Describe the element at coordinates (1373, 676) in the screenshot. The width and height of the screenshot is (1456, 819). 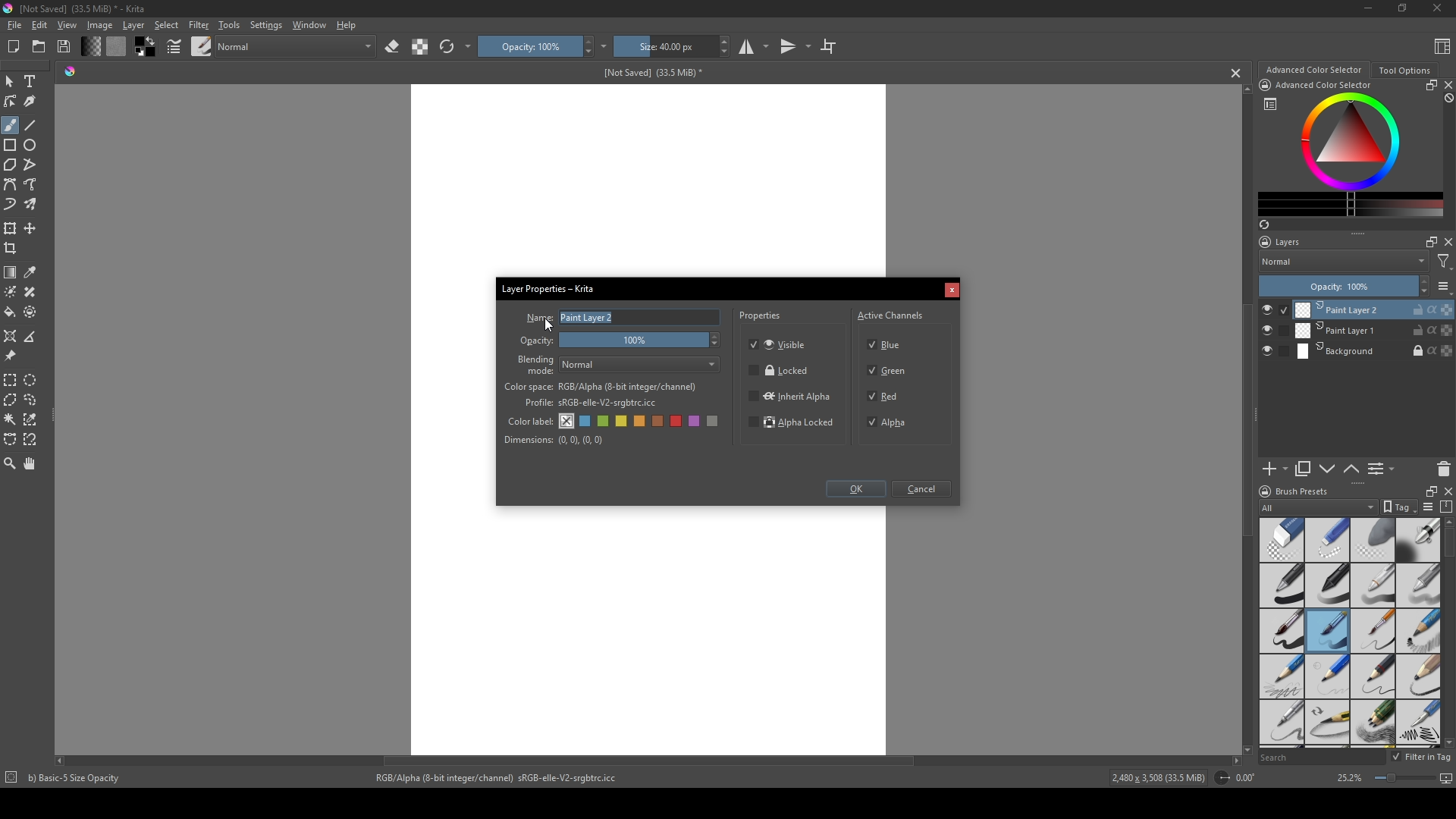
I see `pencil` at that location.